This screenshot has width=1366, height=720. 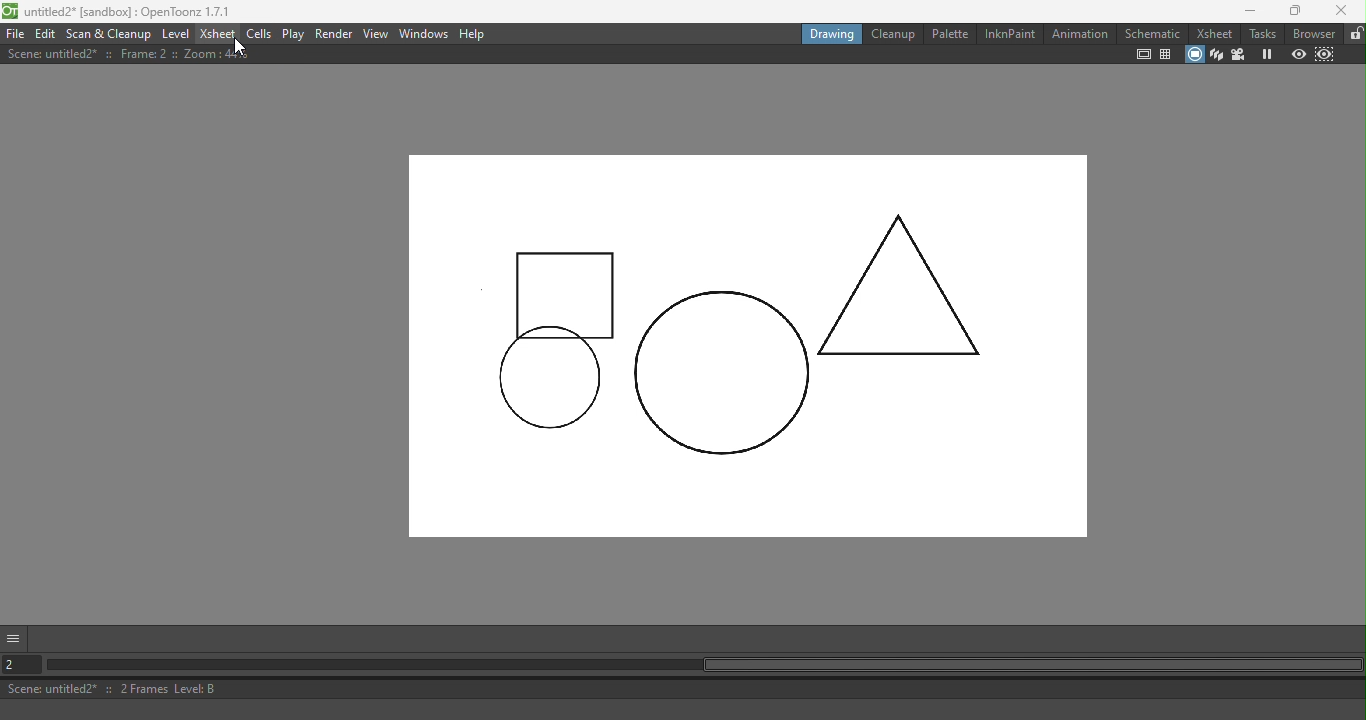 What do you see at coordinates (109, 33) in the screenshot?
I see `Scan & Cleanup` at bounding box center [109, 33].